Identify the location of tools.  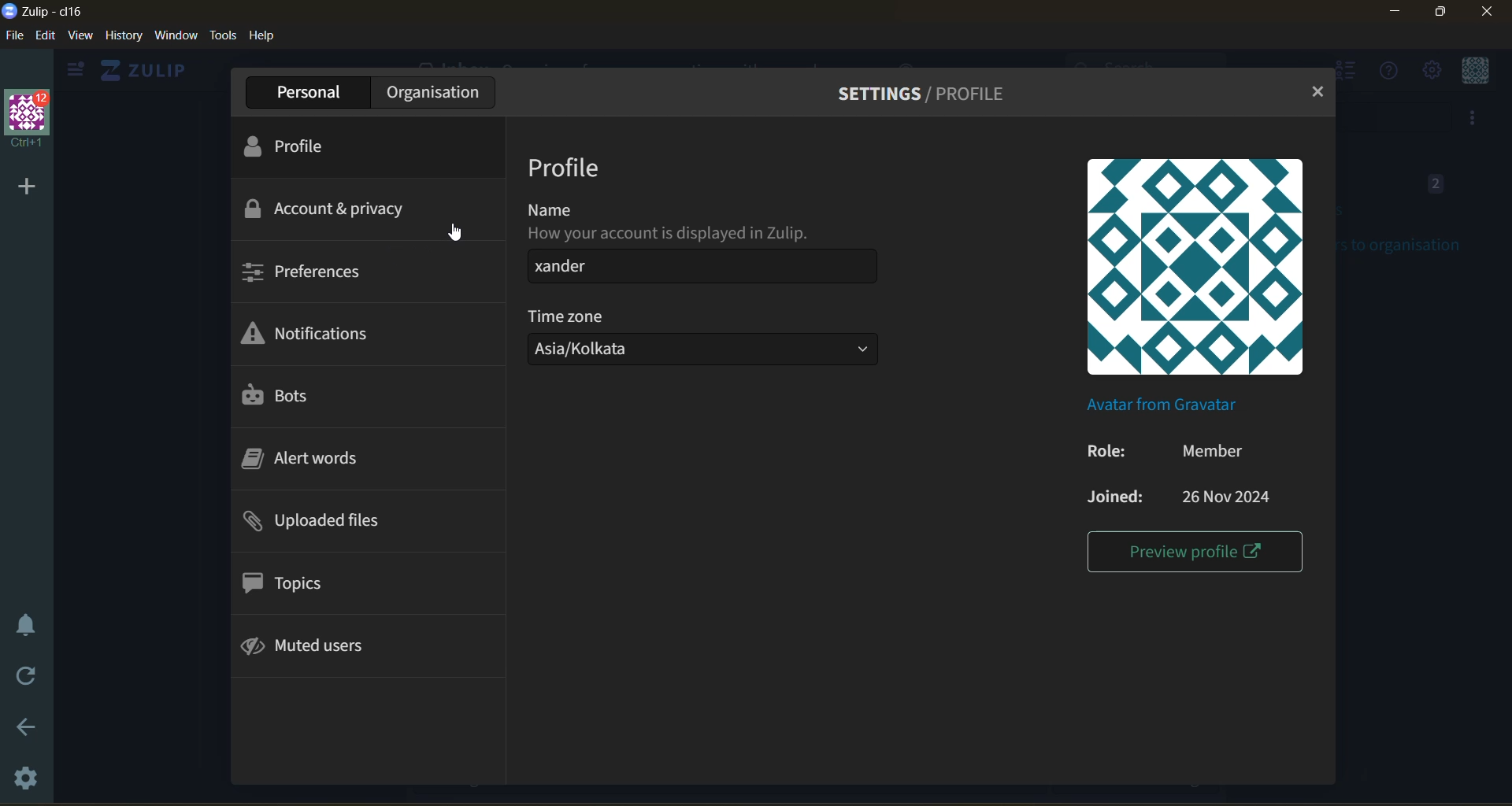
(223, 35).